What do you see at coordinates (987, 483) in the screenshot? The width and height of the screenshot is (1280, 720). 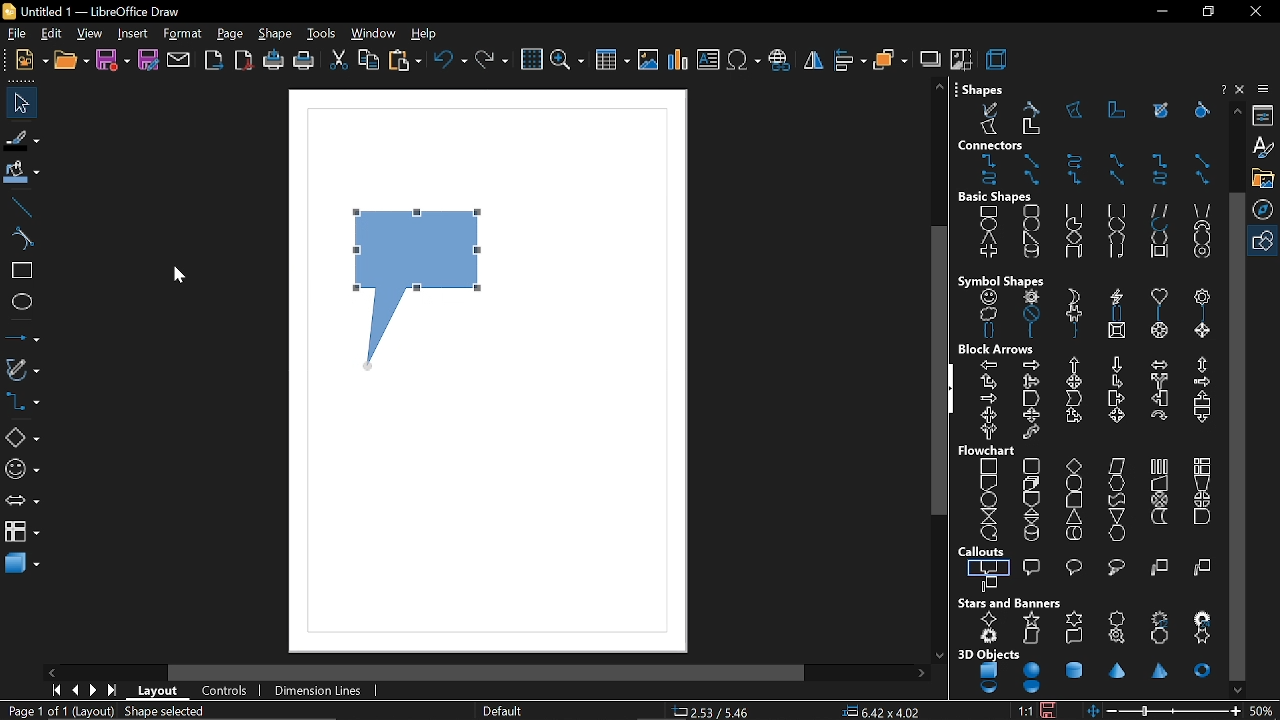 I see `document` at bounding box center [987, 483].